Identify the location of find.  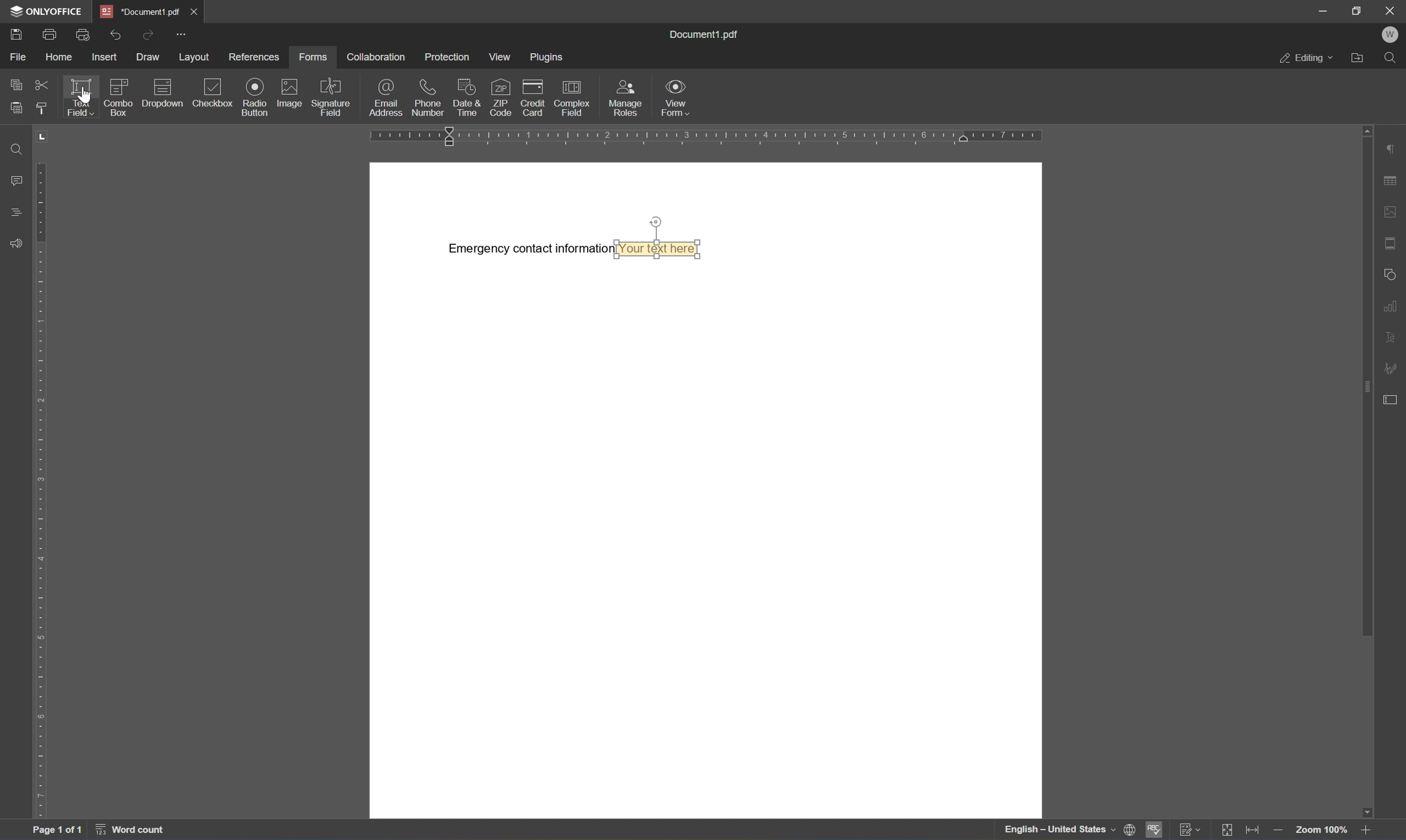
(1392, 57).